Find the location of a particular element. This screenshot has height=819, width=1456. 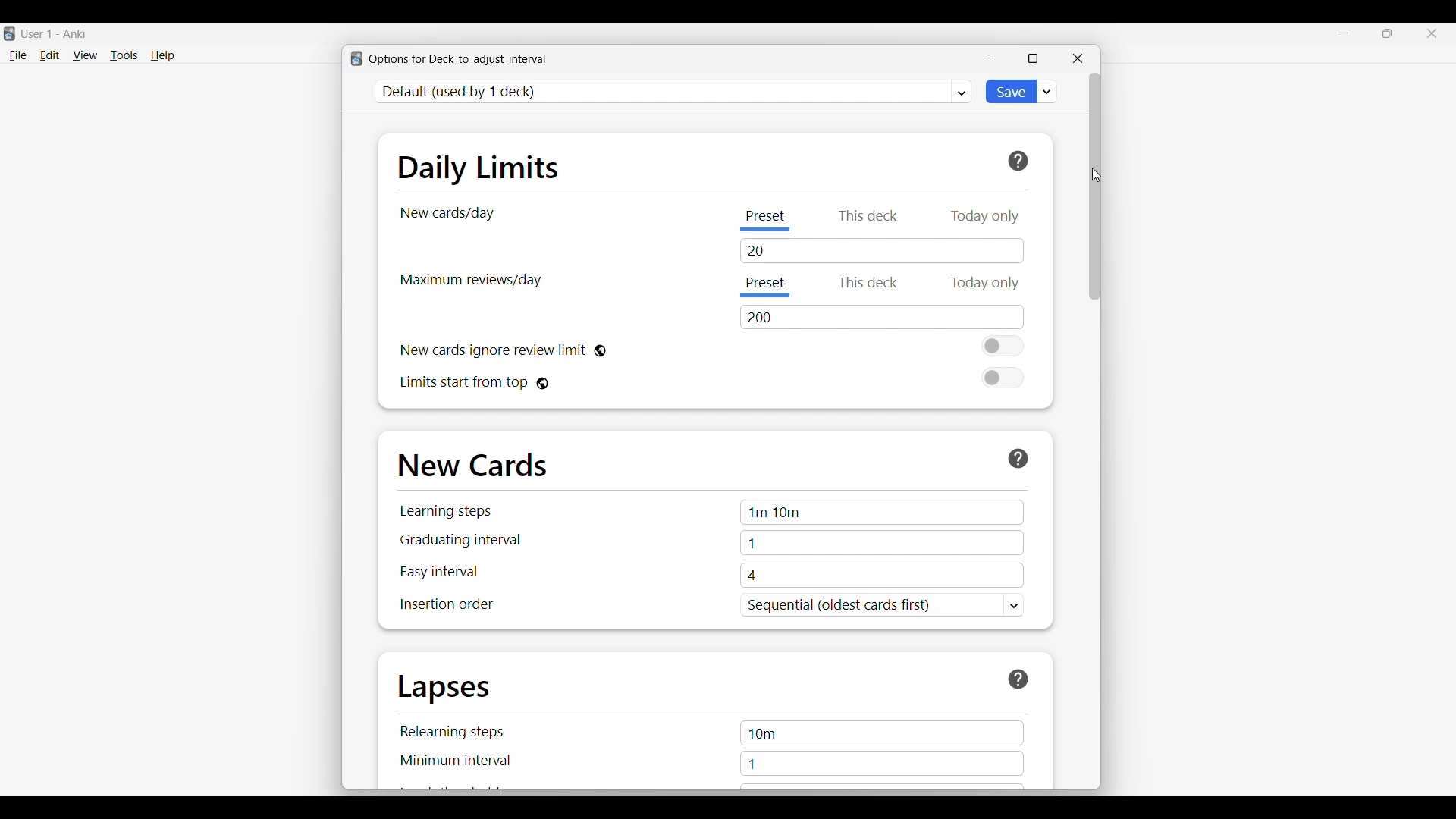

This deck is located at coordinates (864, 284).